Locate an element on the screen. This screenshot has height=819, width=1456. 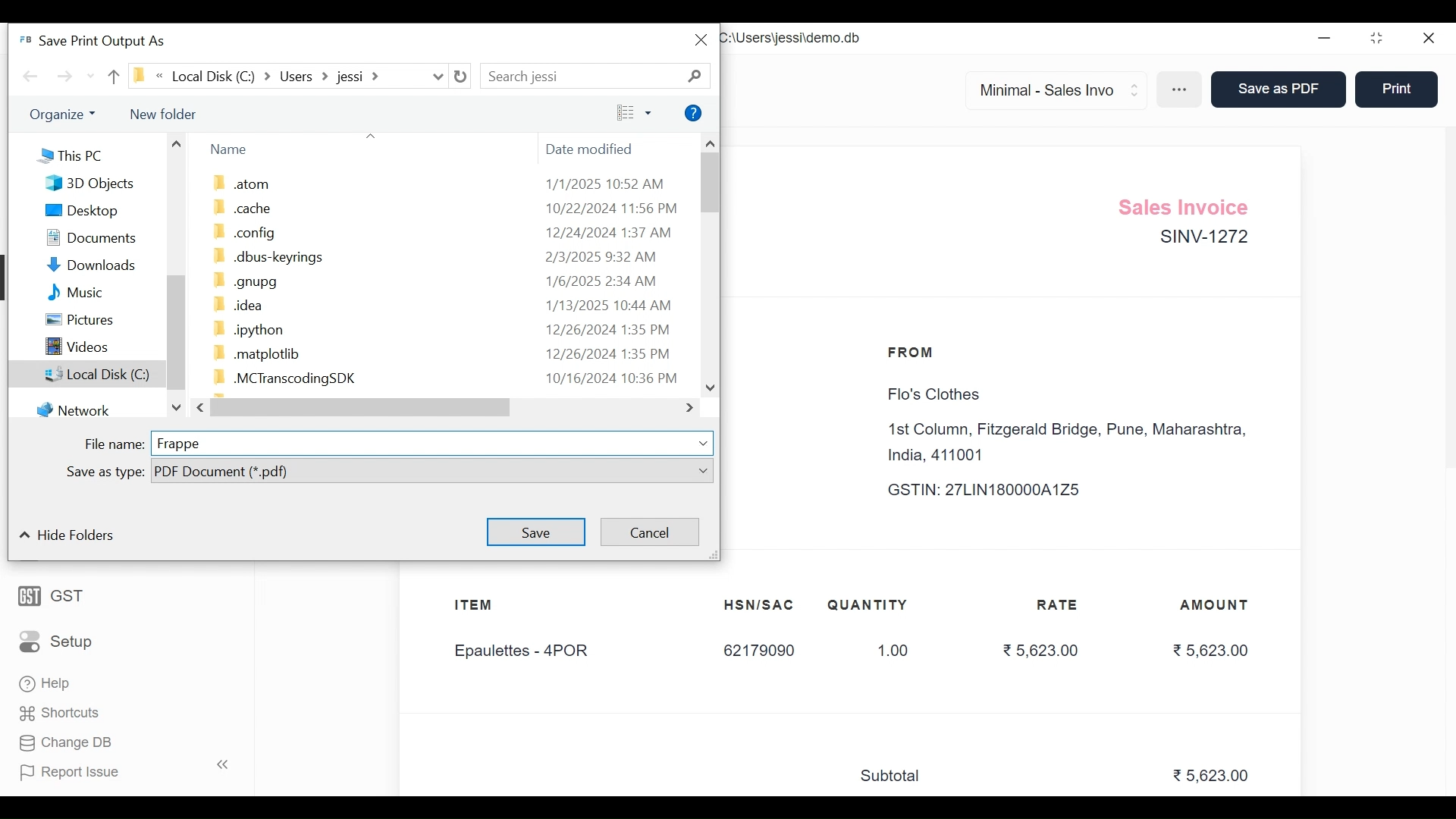
Flo's Clothes is located at coordinates (930, 395).